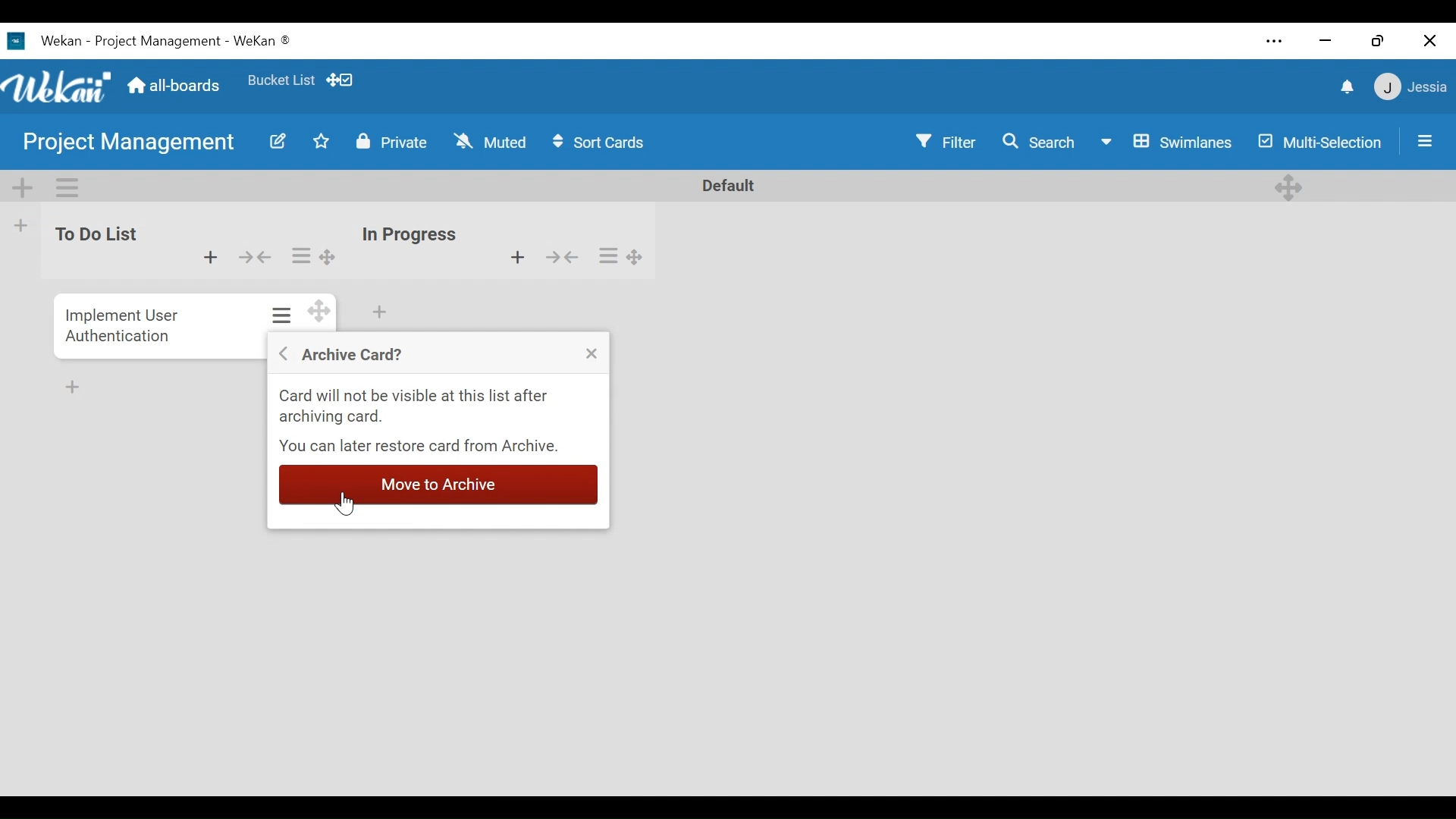 Image resolution: width=1456 pixels, height=819 pixels. I want to click on Edit, so click(277, 143).